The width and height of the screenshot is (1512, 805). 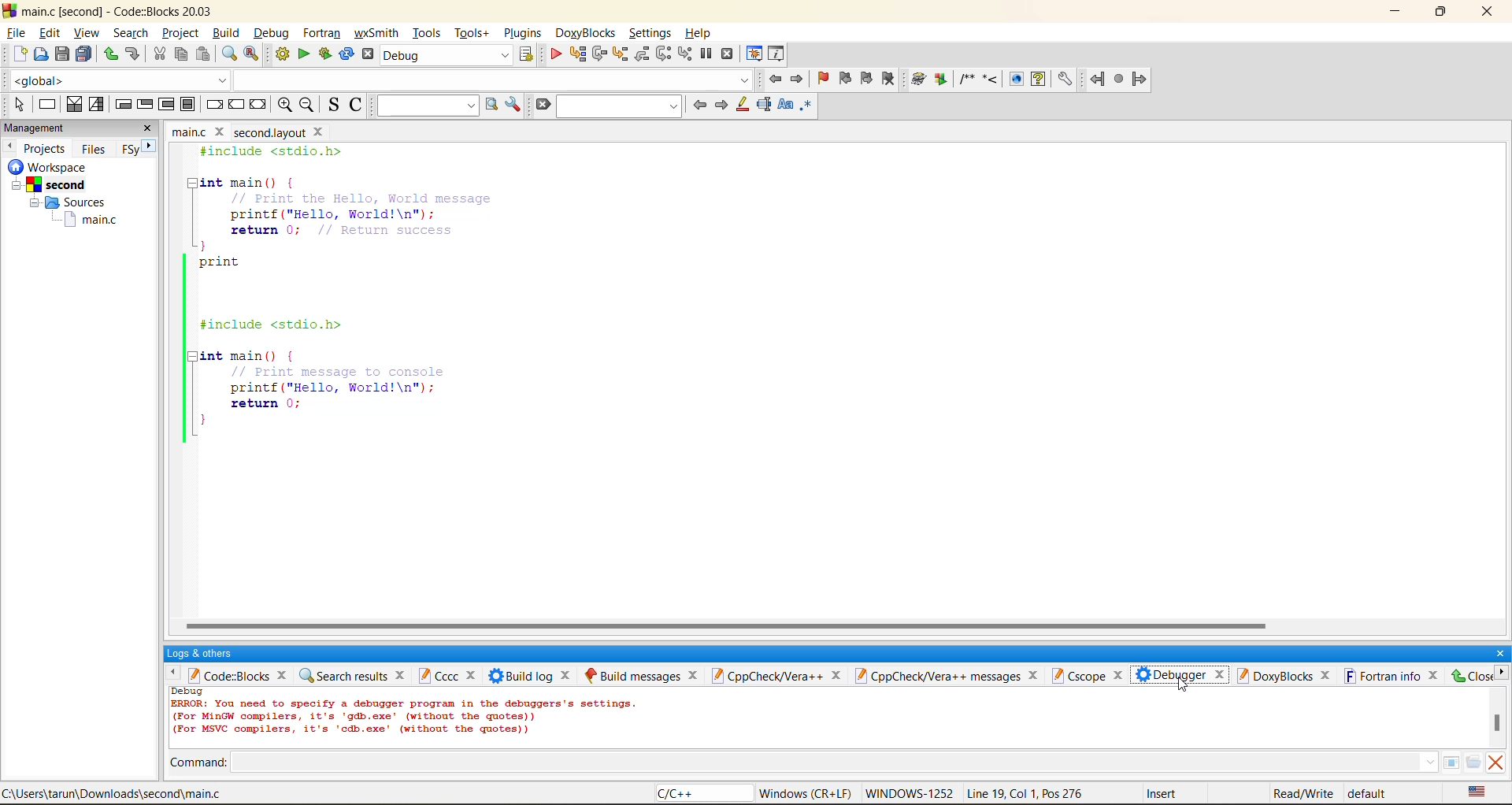 What do you see at coordinates (120, 105) in the screenshot?
I see `entry condition loop` at bounding box center [120, 105].